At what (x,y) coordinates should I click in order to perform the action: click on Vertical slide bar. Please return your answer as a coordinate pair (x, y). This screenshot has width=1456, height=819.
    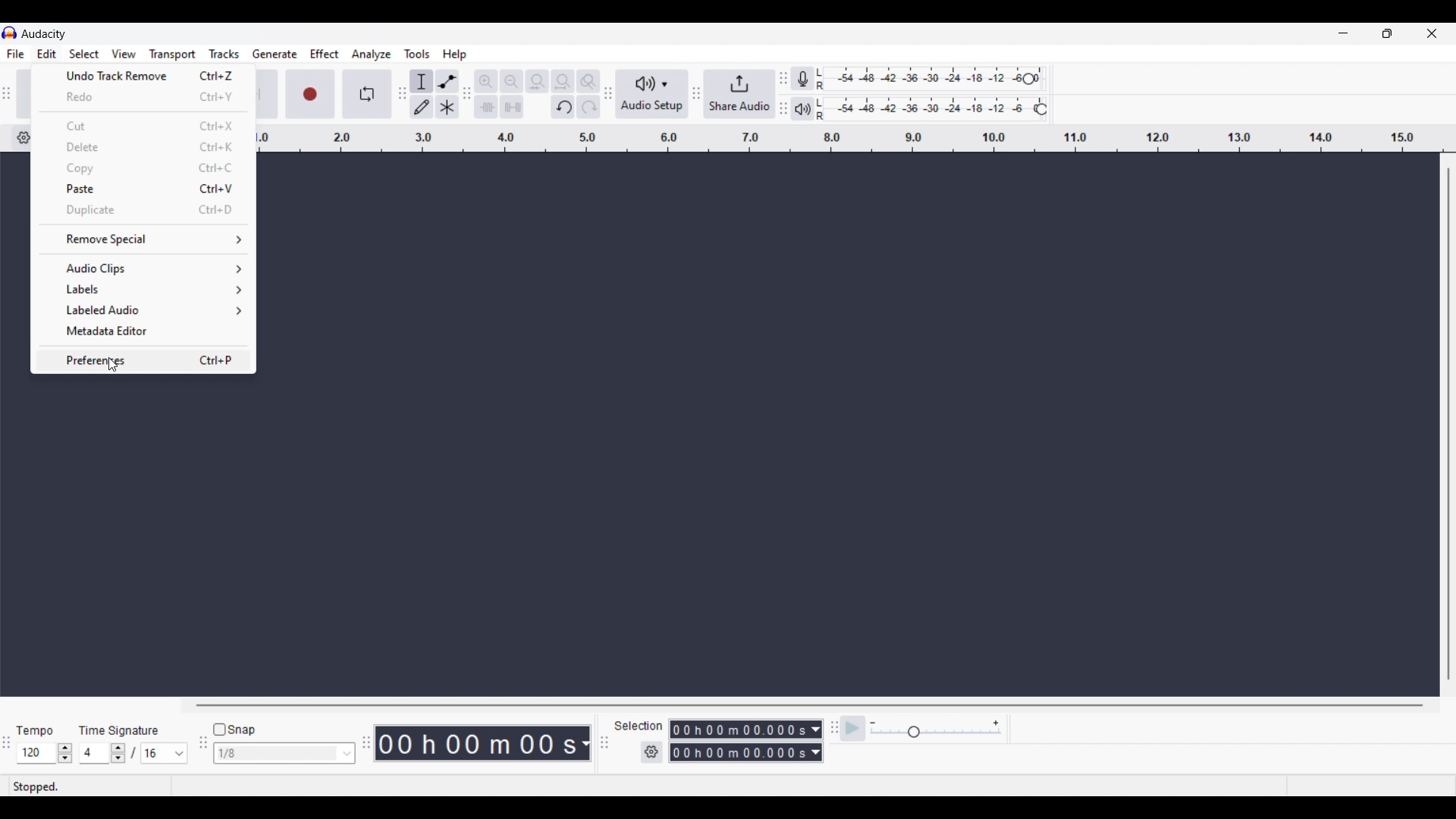
    Looking at the image, I should click on (1448, 424).